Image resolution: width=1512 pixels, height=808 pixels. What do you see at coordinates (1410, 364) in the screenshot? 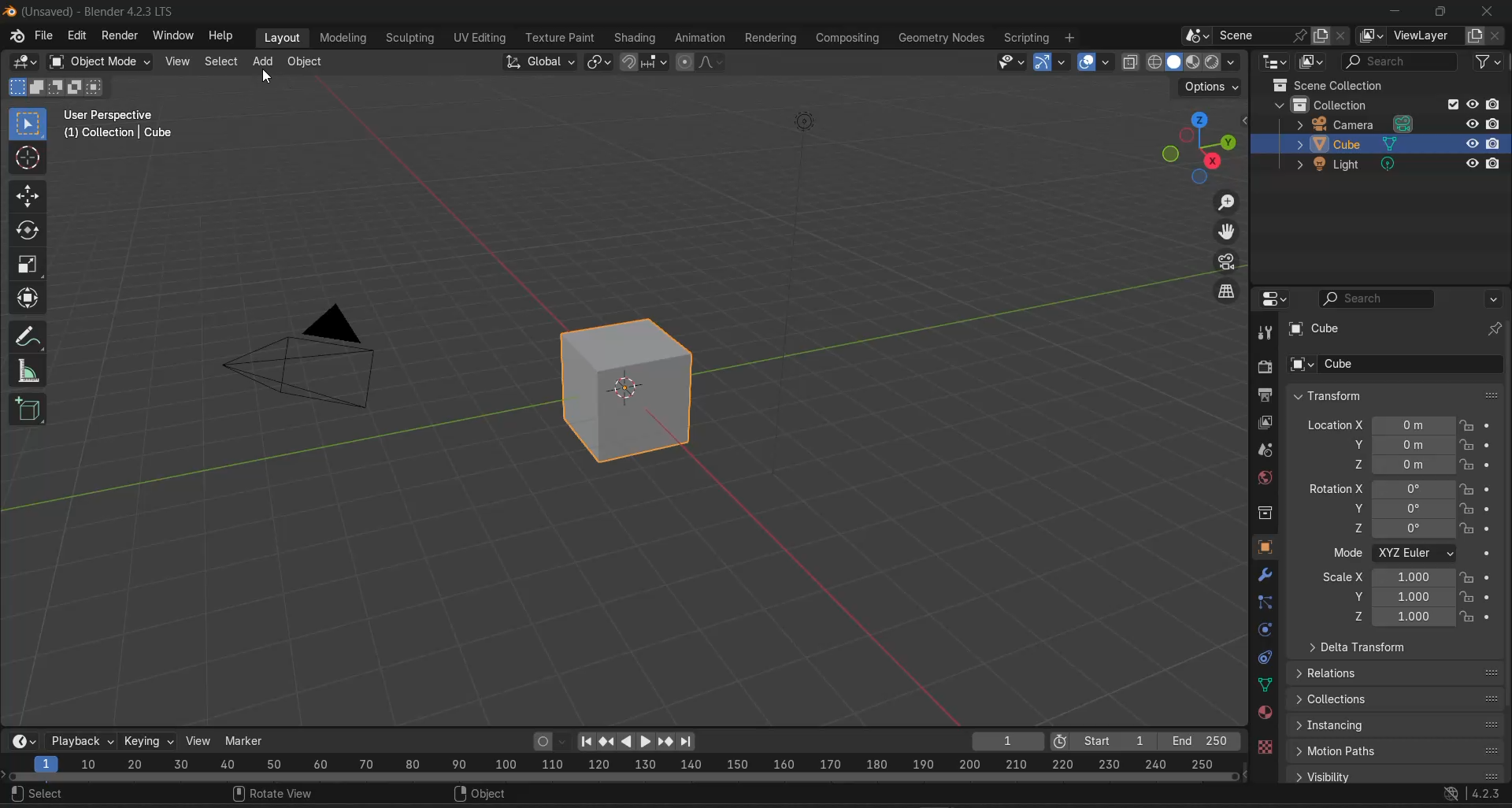
I see `name object data-block` at bounding box center [1410, 364].